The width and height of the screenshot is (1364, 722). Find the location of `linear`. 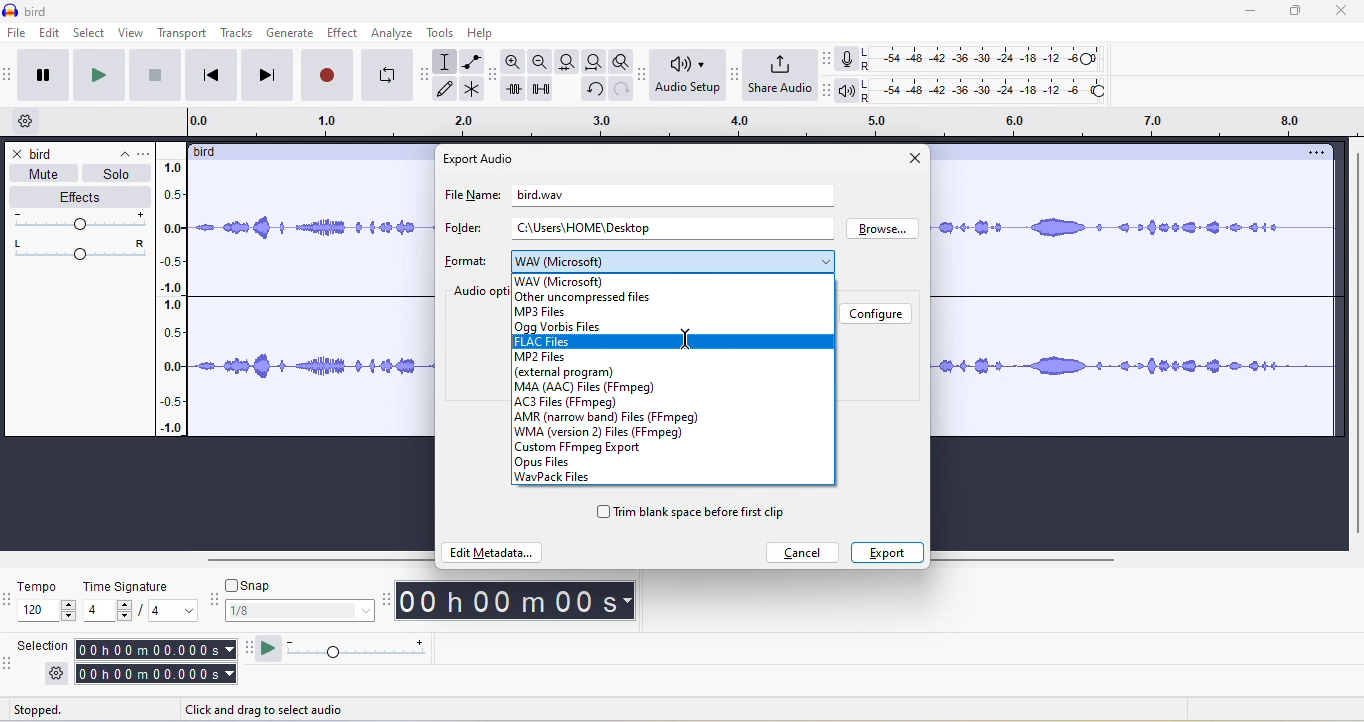

linear is located at coordinates (179, 300).